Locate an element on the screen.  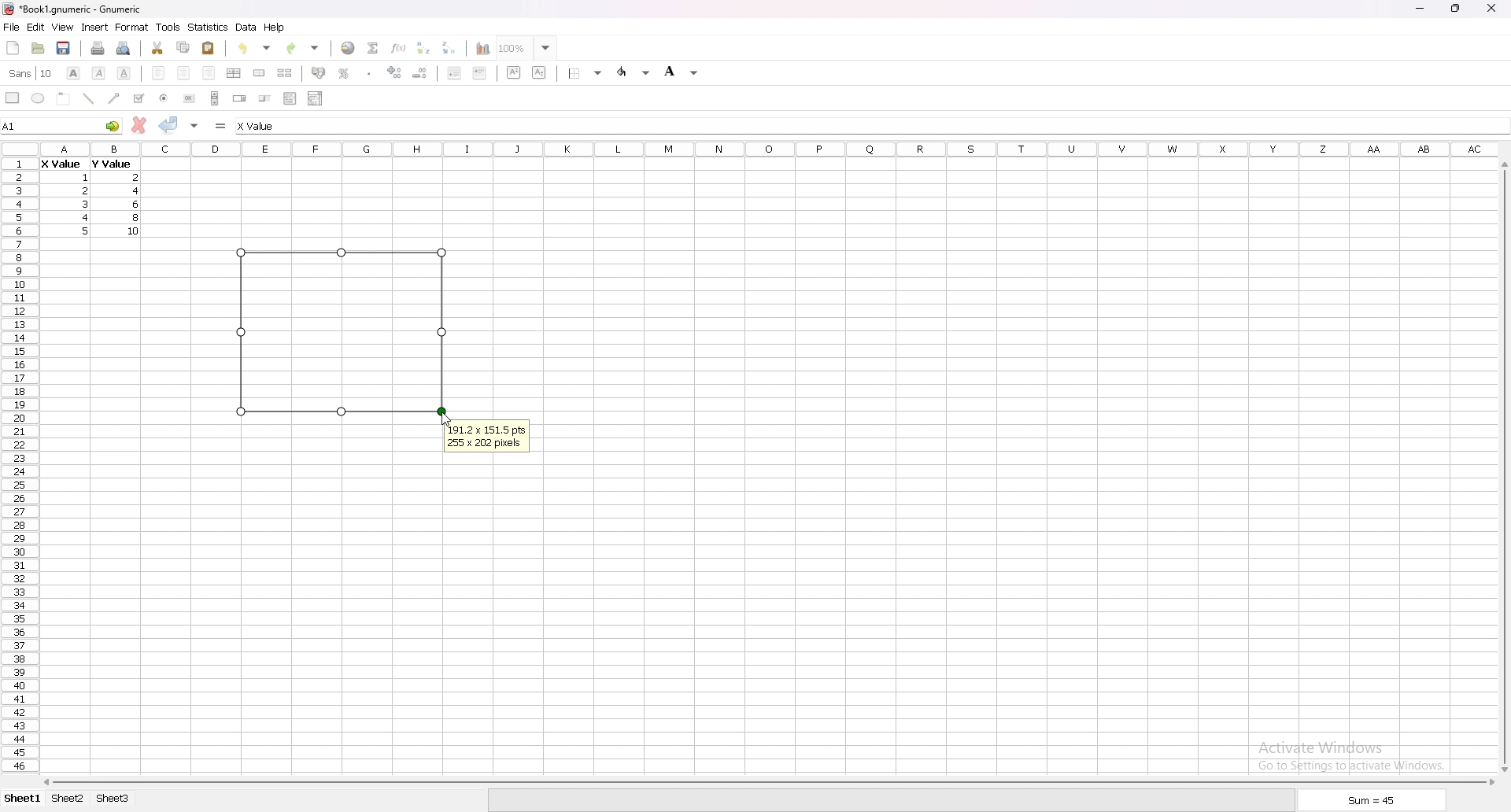
value is located at coordinates (137, 177).